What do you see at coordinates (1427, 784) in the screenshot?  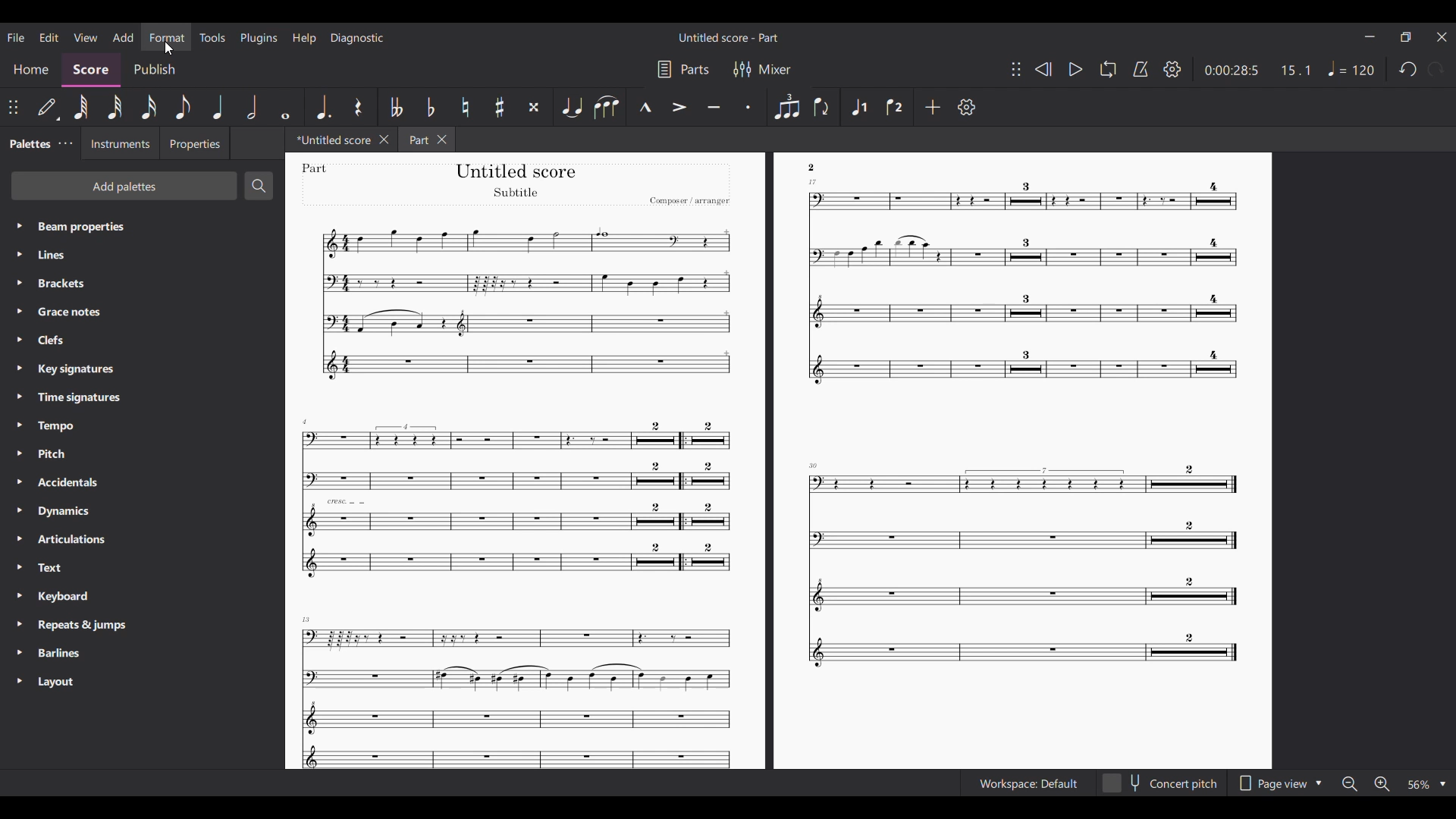 I see `Zoom options` at bounding box center [1427, 784].